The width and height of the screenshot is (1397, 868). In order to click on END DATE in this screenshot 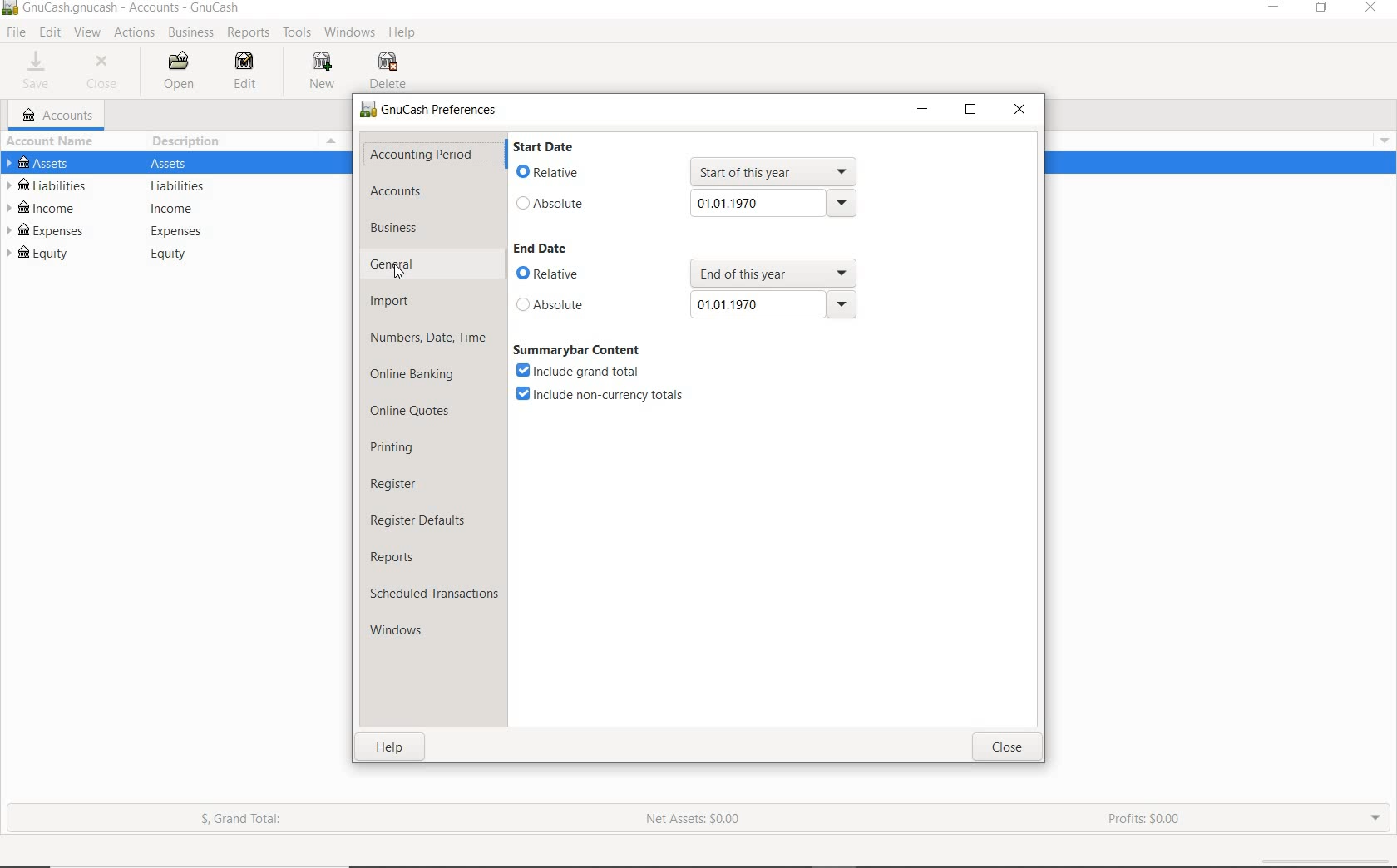, I will do `click(546, 250)`.